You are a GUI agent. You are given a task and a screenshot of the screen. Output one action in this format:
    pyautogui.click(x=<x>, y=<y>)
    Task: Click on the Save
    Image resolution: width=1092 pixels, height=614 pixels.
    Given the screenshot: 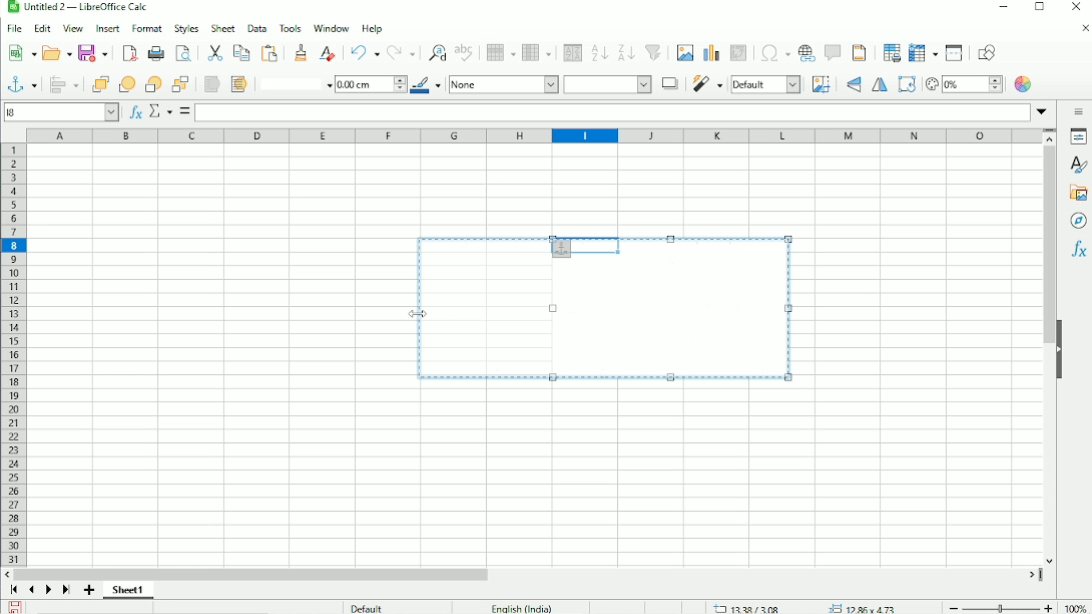 What is the action you would take?
    pyautogui.click(x=93, y=54)
    